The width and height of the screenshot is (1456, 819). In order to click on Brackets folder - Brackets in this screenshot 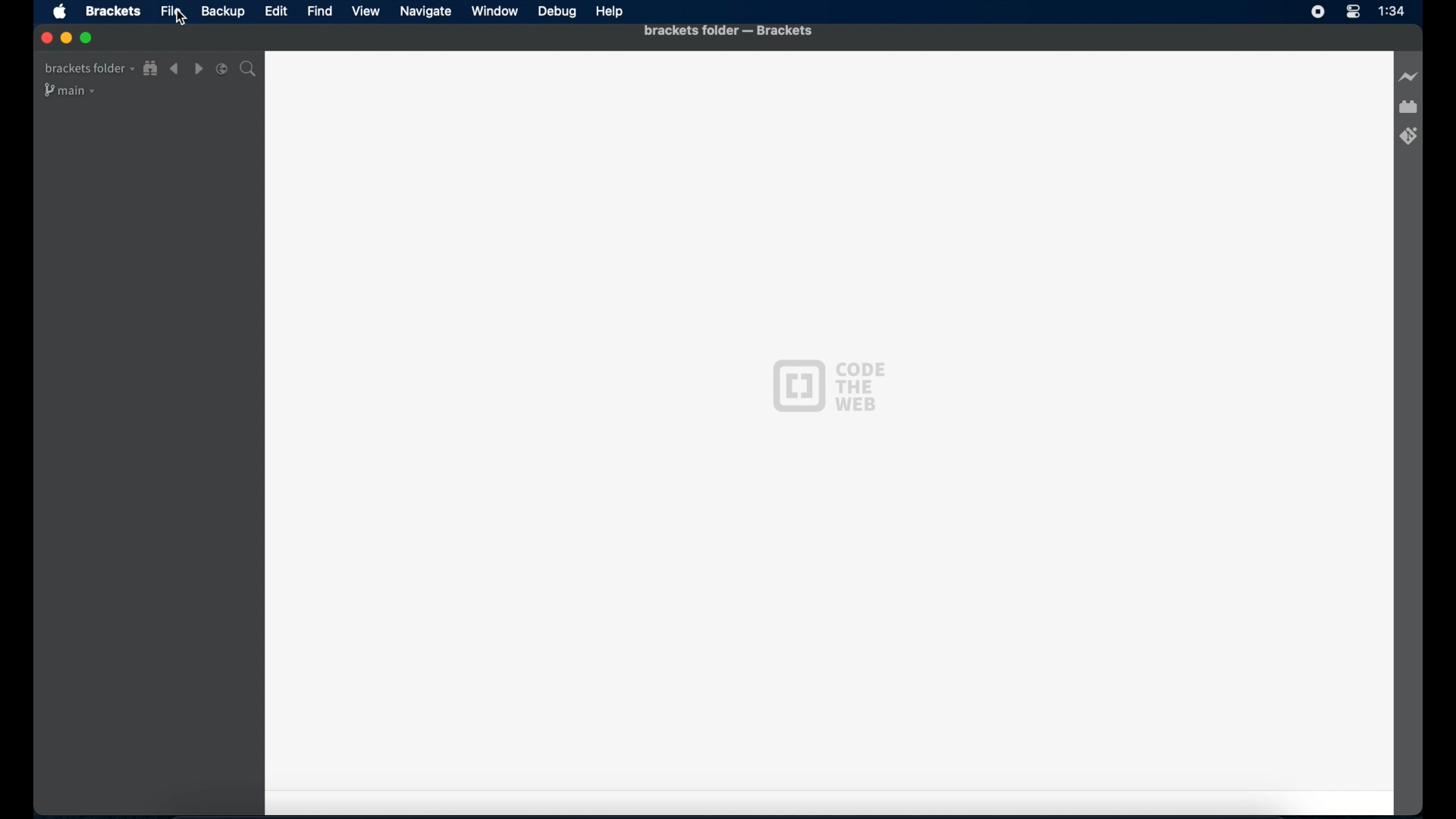, I will do `click(703, 30)`.